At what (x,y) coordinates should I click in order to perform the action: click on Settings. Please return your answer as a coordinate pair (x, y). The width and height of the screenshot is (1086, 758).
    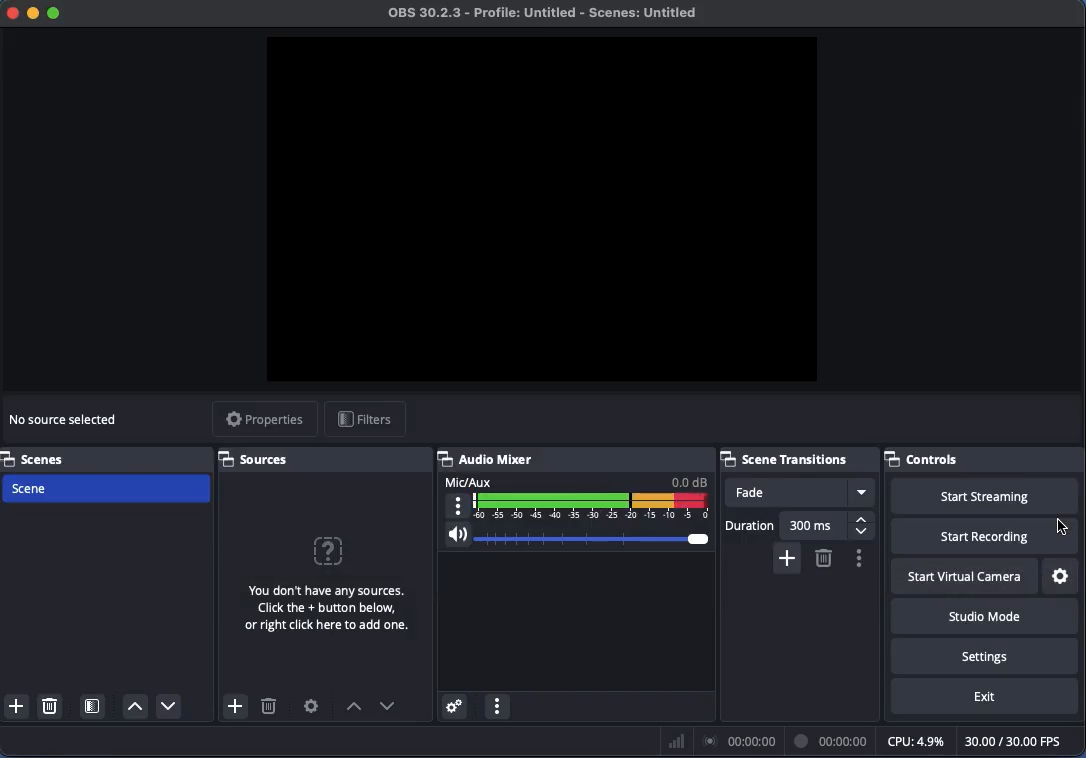
    Looking at the image, I should click on (1062, 577).